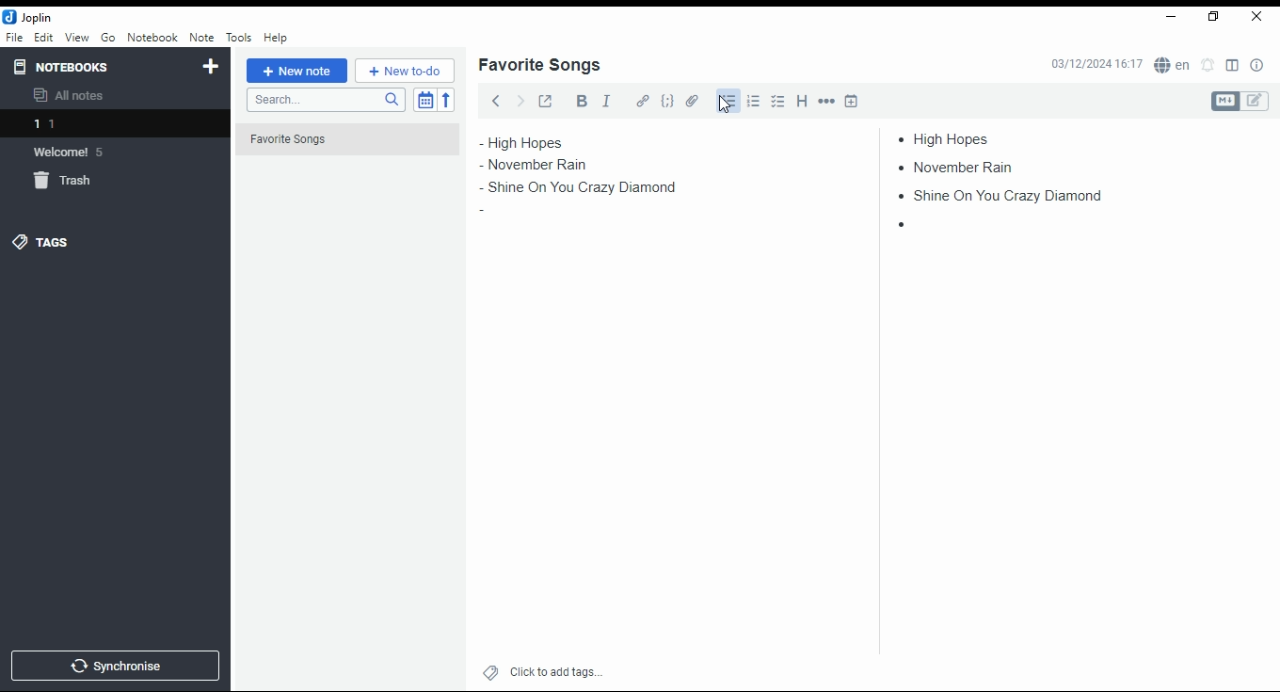  I want to click on notebook, so click(152, 37).